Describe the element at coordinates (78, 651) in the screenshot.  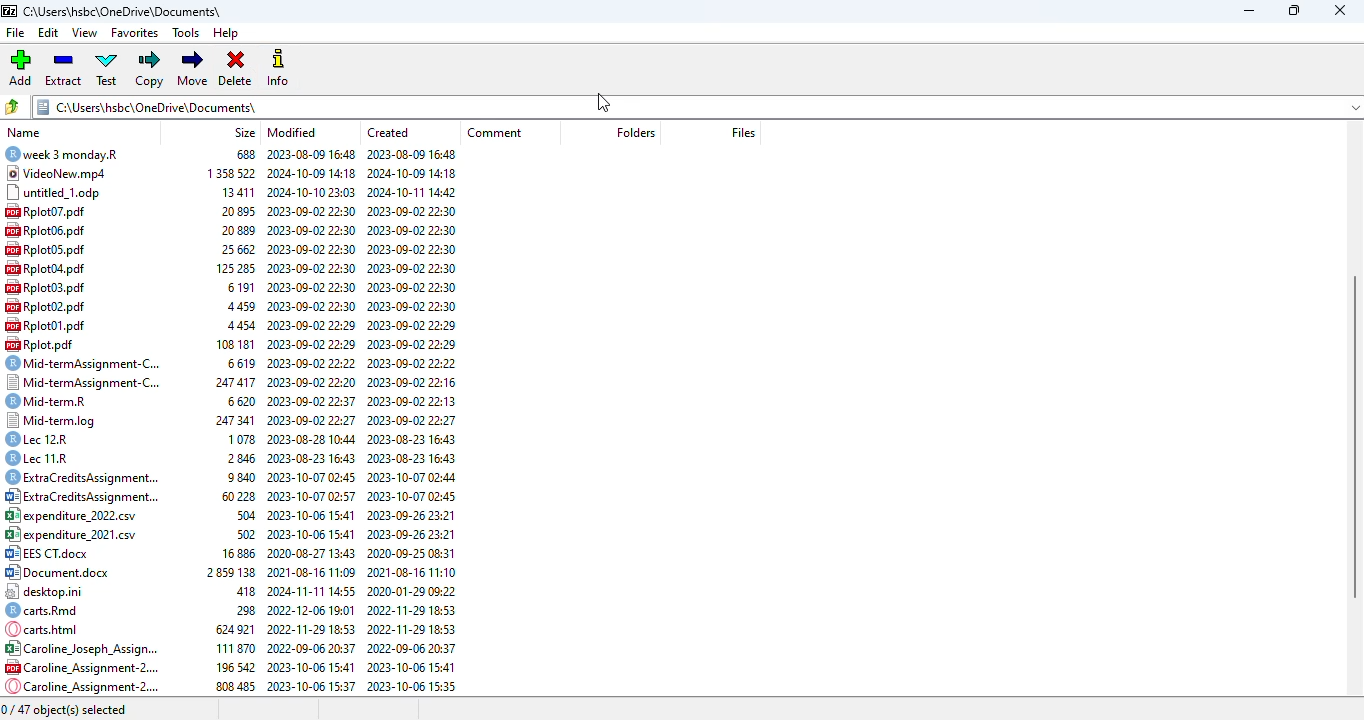
I see ` Caroline Assianment.2.` at that location.